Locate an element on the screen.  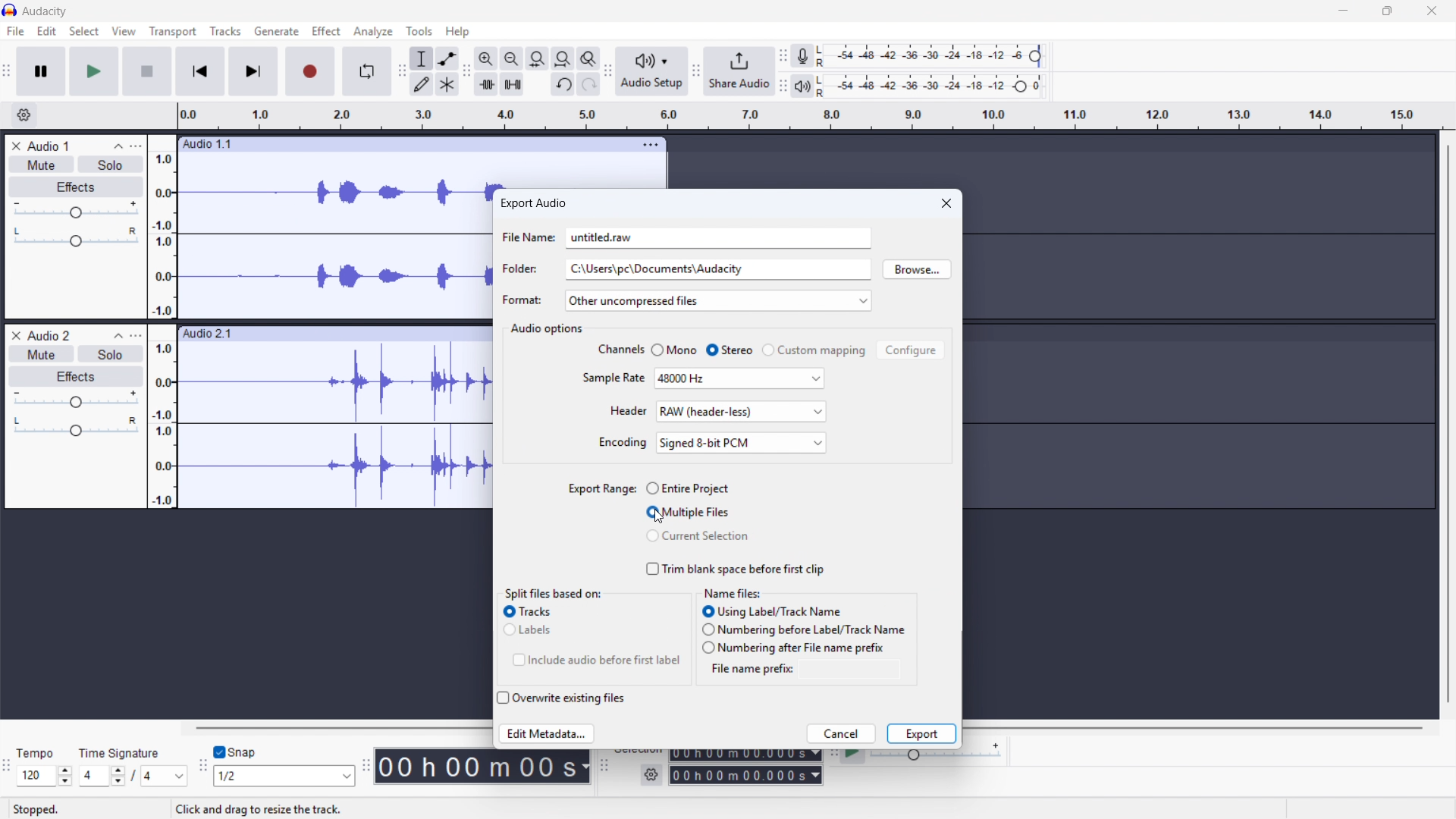
Trim blank space before first clip is located at coordinates (735, 569).